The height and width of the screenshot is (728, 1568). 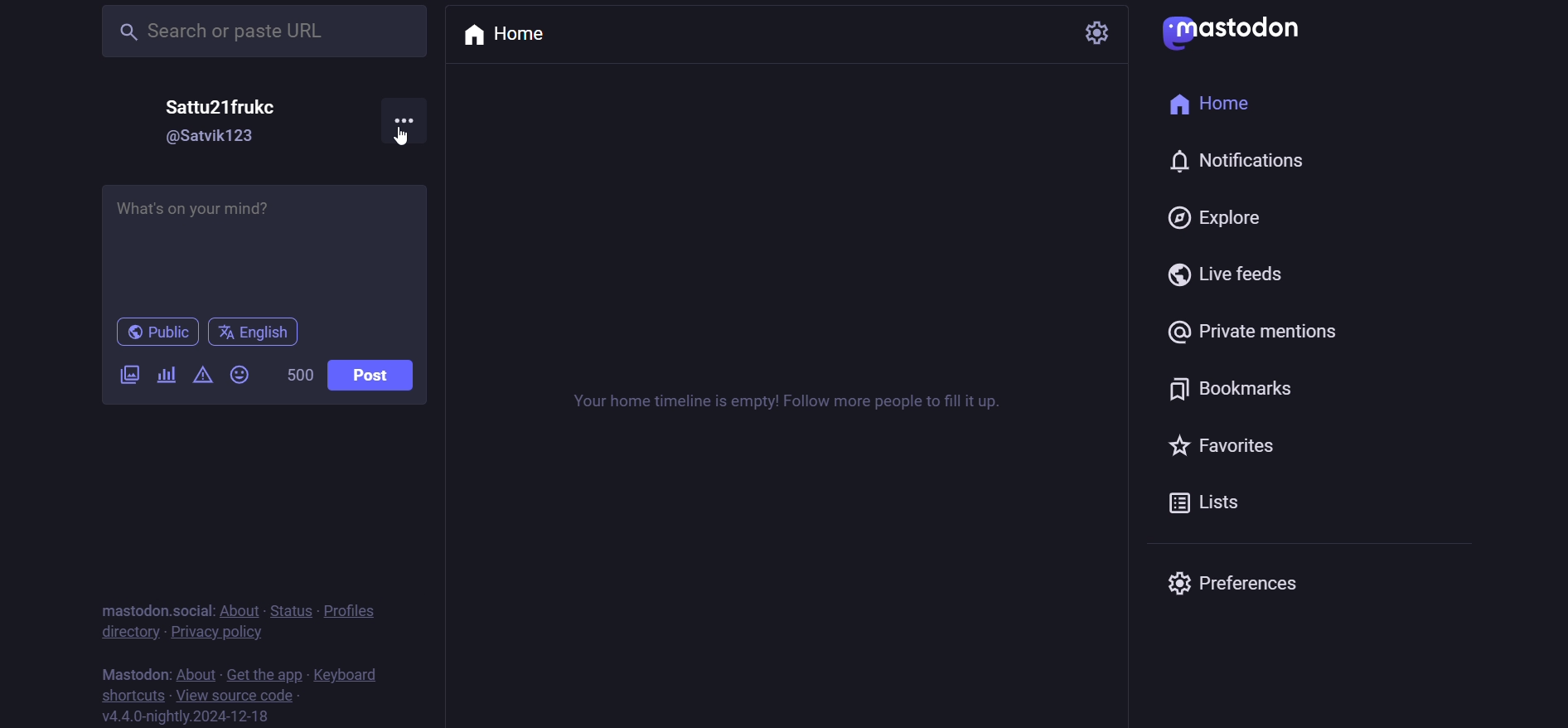 What do you see at coordinates (238, 374) in the screenshot?
I see `emoji` at bounding box center [238, 374].